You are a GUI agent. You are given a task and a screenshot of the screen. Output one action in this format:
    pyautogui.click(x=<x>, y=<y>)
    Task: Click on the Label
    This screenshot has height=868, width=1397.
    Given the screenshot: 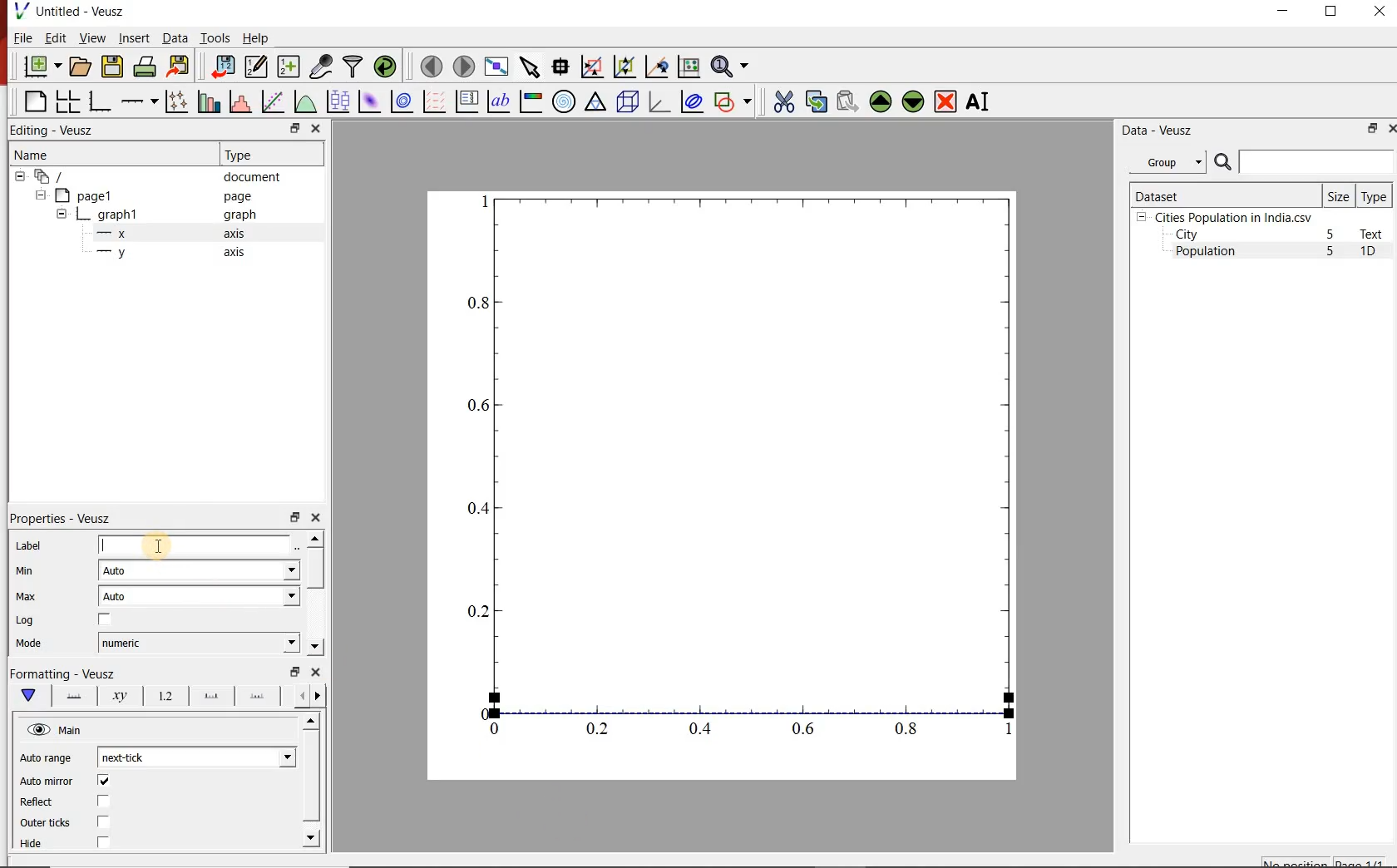 What is the action you would take?
    pyautogui.click(x=27, y=545)
    